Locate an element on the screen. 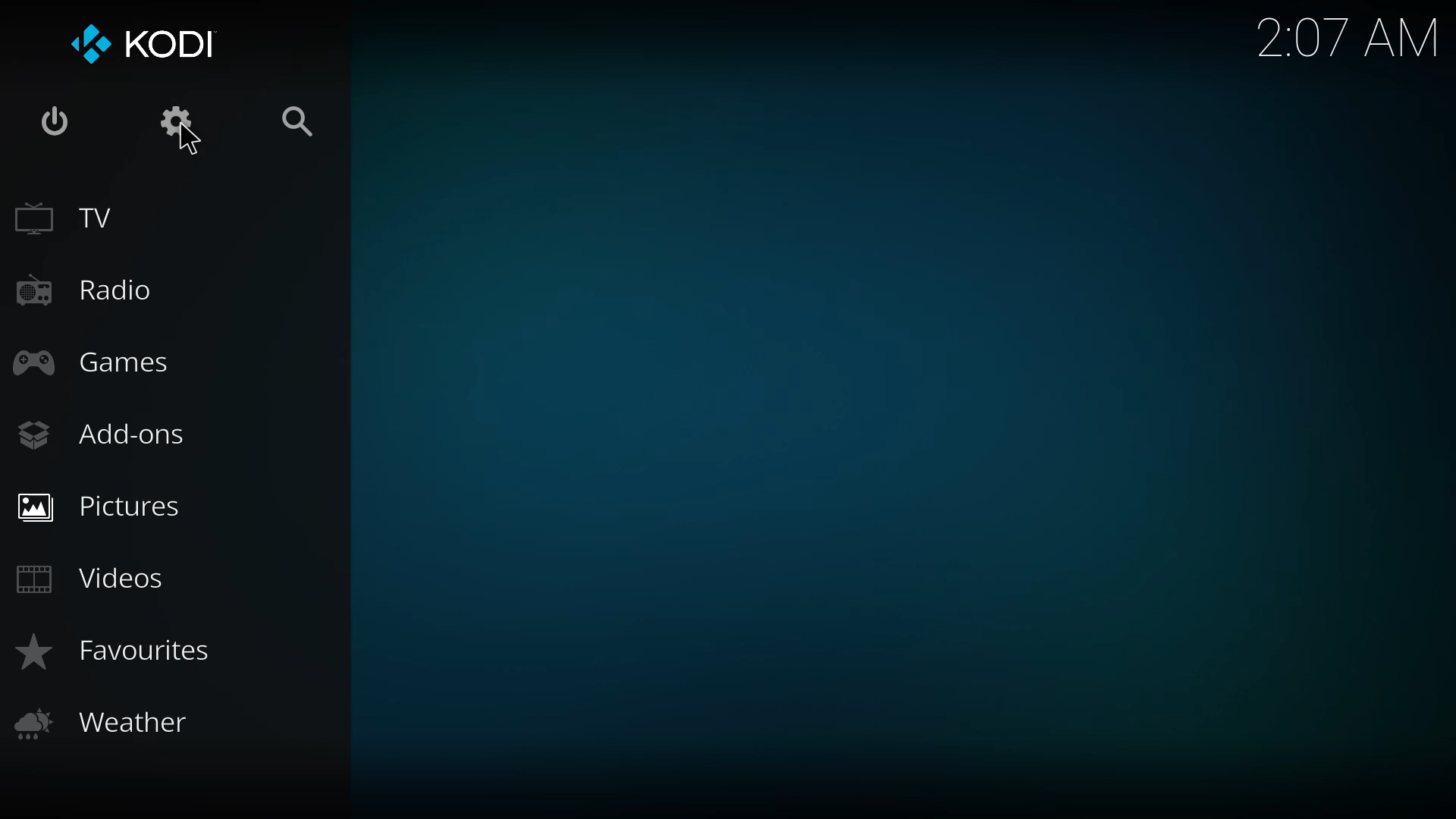 This screenshot has height=819, width=1456. weather is located at coordinates (109, 723).